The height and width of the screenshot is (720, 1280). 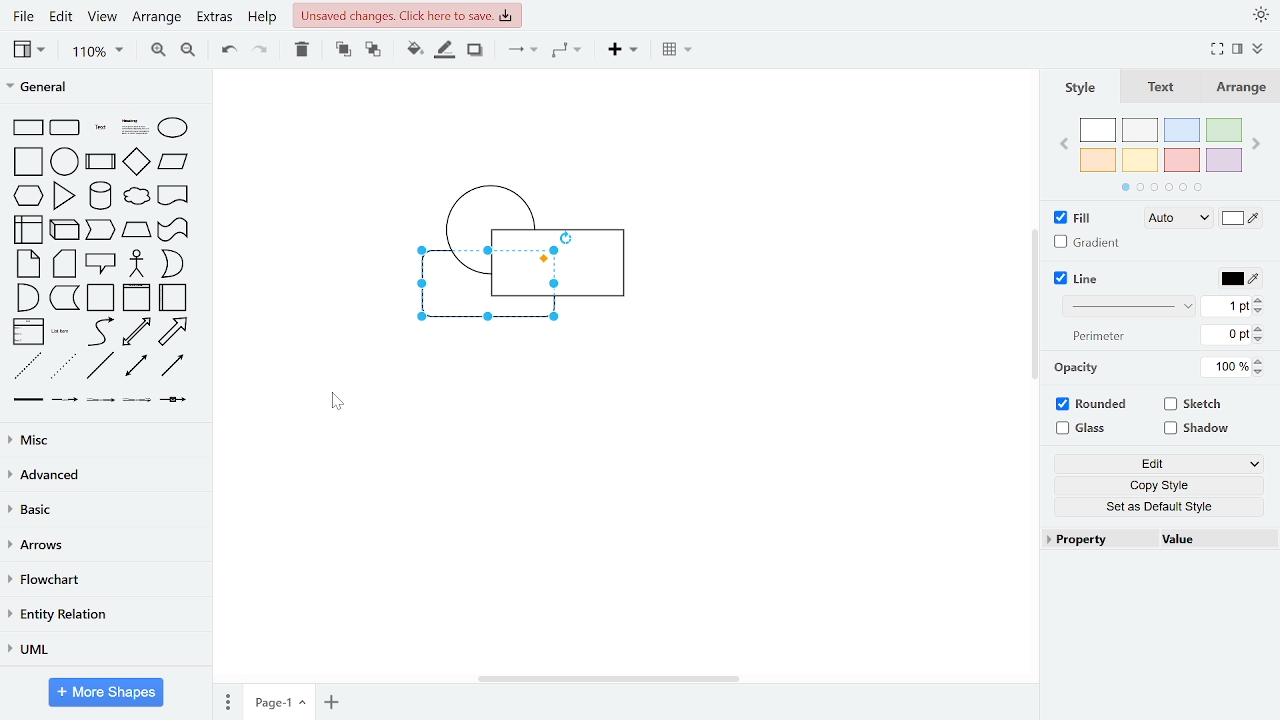 What do you see at coordinates (106, 509) in the screenshot?
I see `basic` at bounding box center [106, 509].